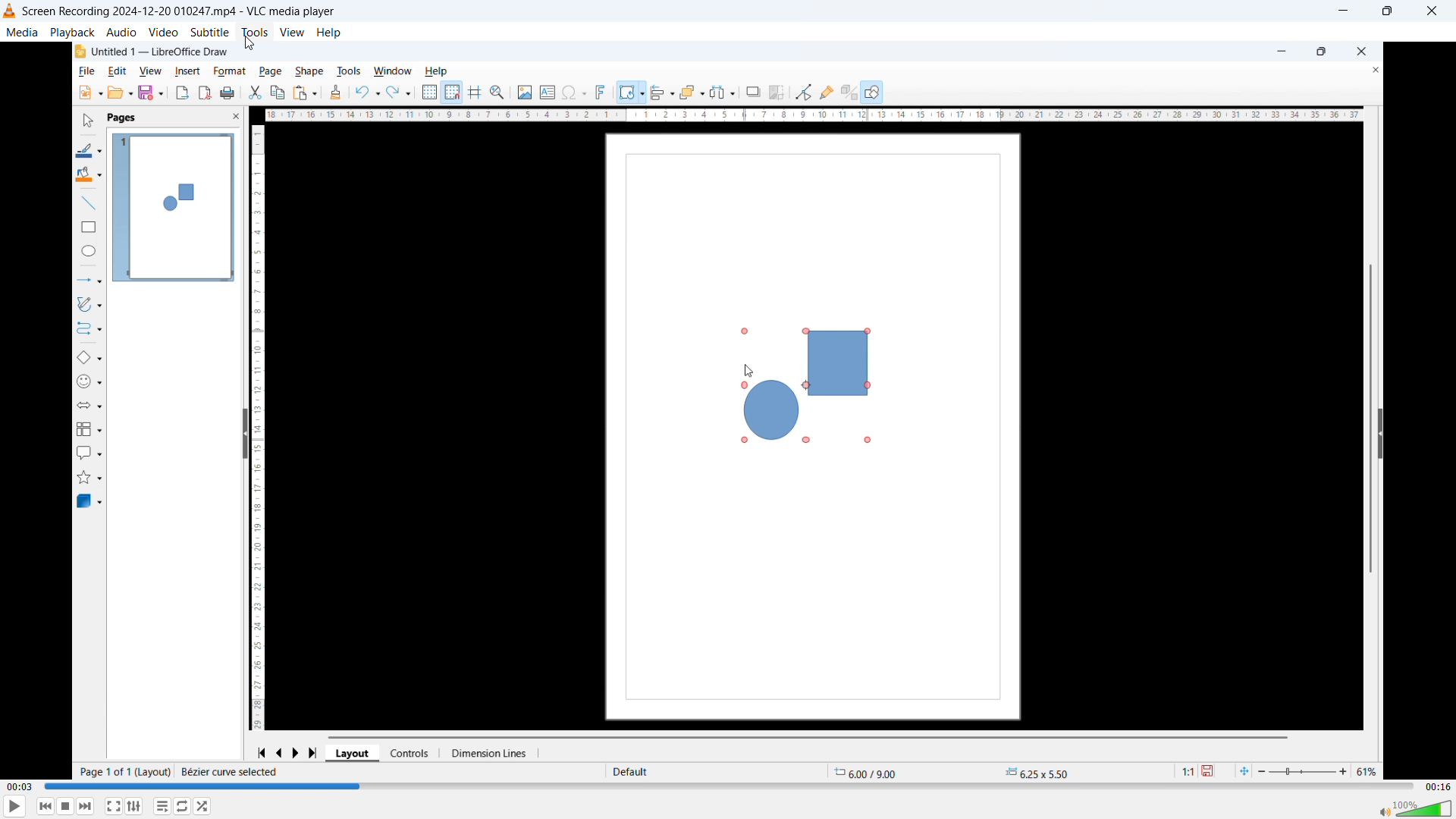 This screenshot has width=1456, height=819. I want to click on view, so click(293, 32).